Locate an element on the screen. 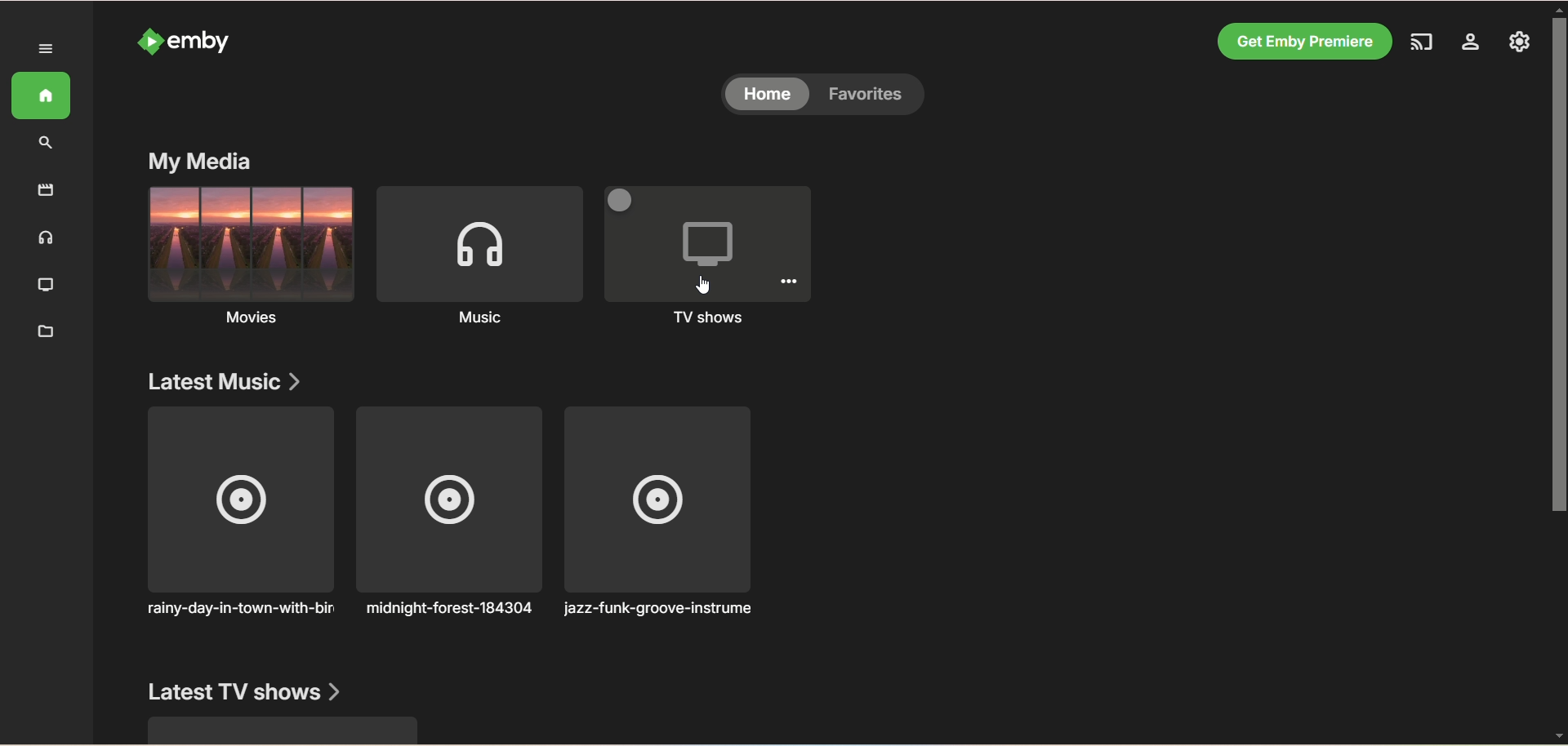  emby is located at coordinates (204, 42).